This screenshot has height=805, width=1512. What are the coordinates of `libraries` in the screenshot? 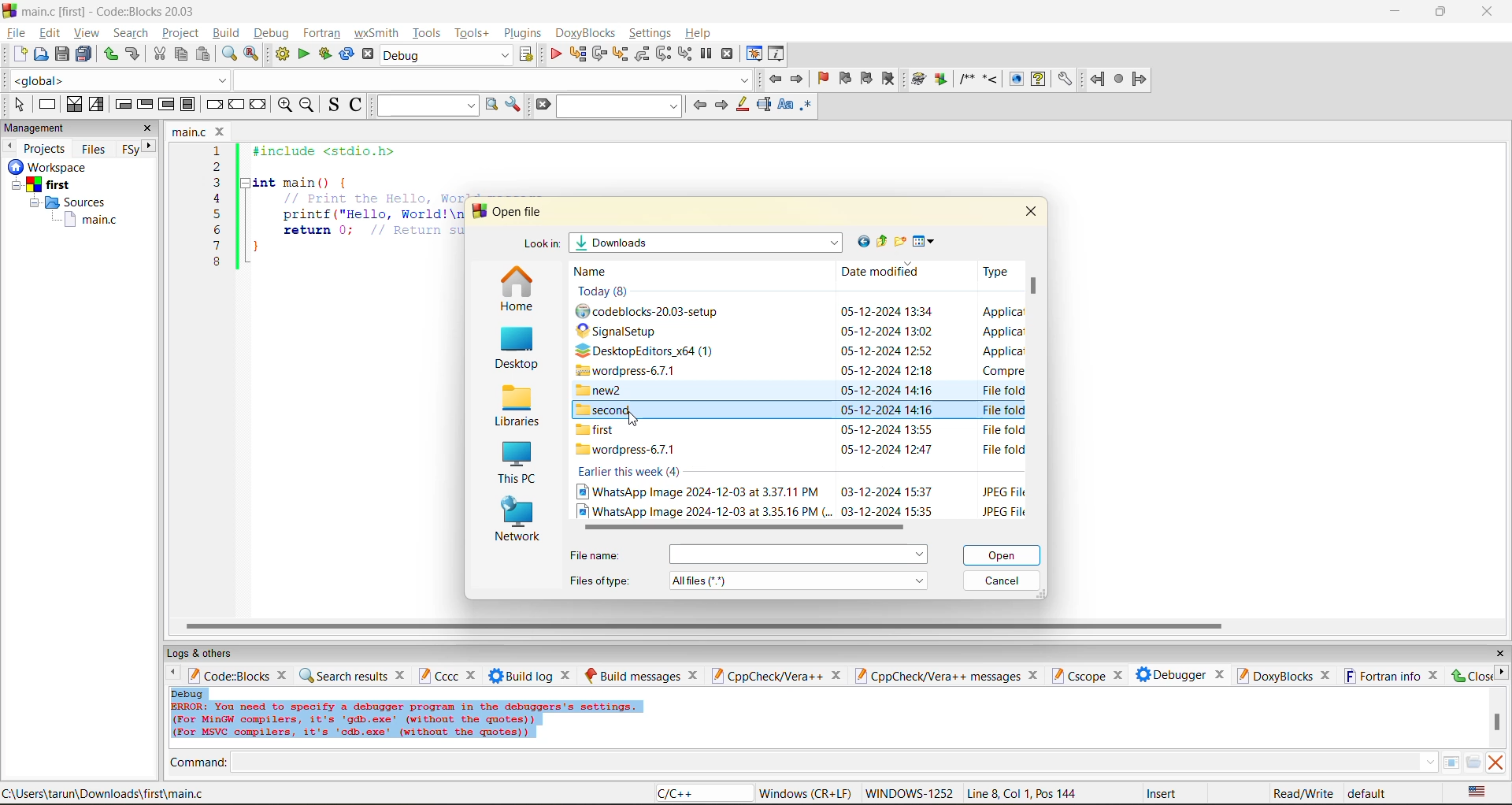 It's located at (515, 406).